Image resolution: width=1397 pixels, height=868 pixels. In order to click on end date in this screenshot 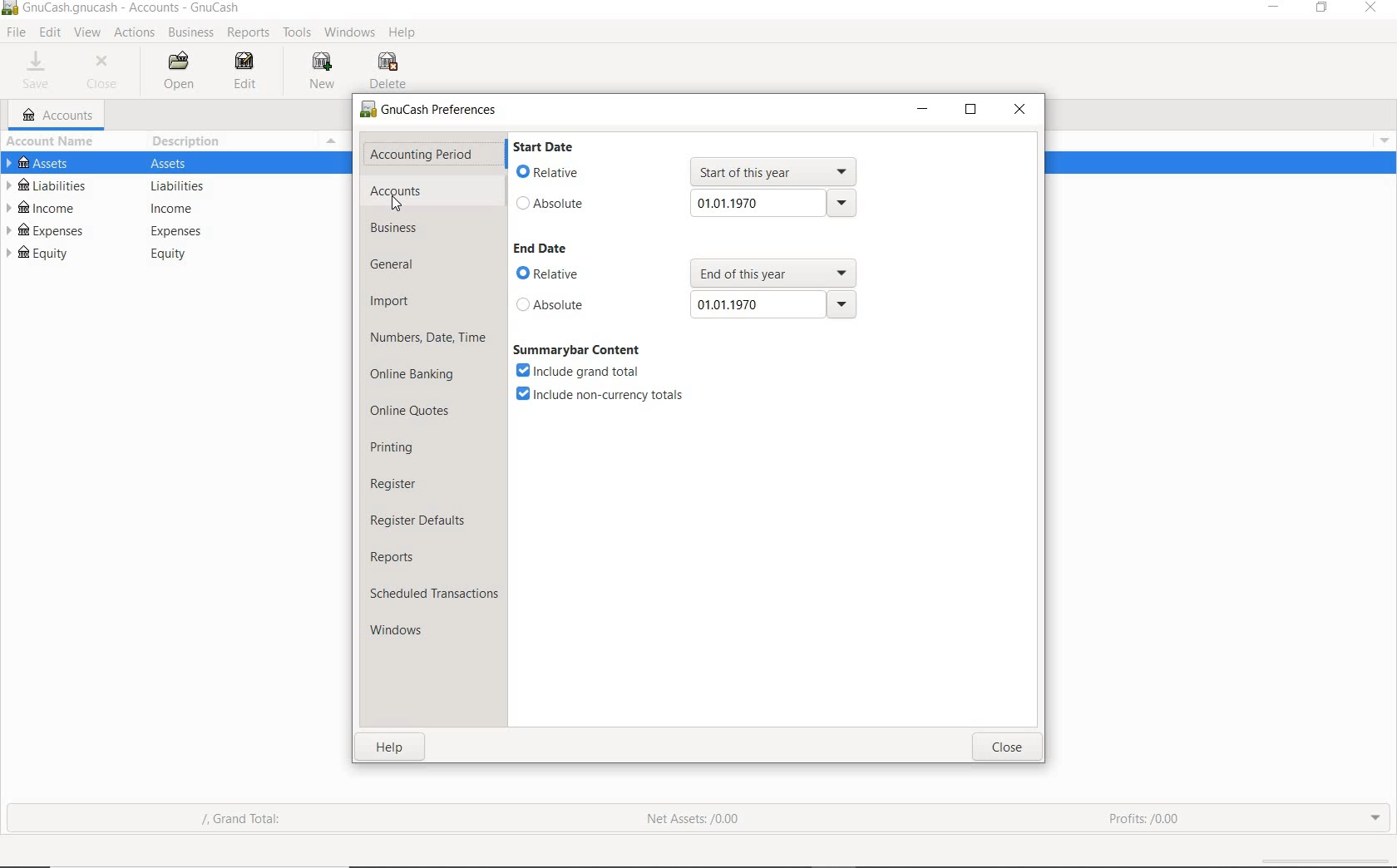, I will do `click(541, 248)`.